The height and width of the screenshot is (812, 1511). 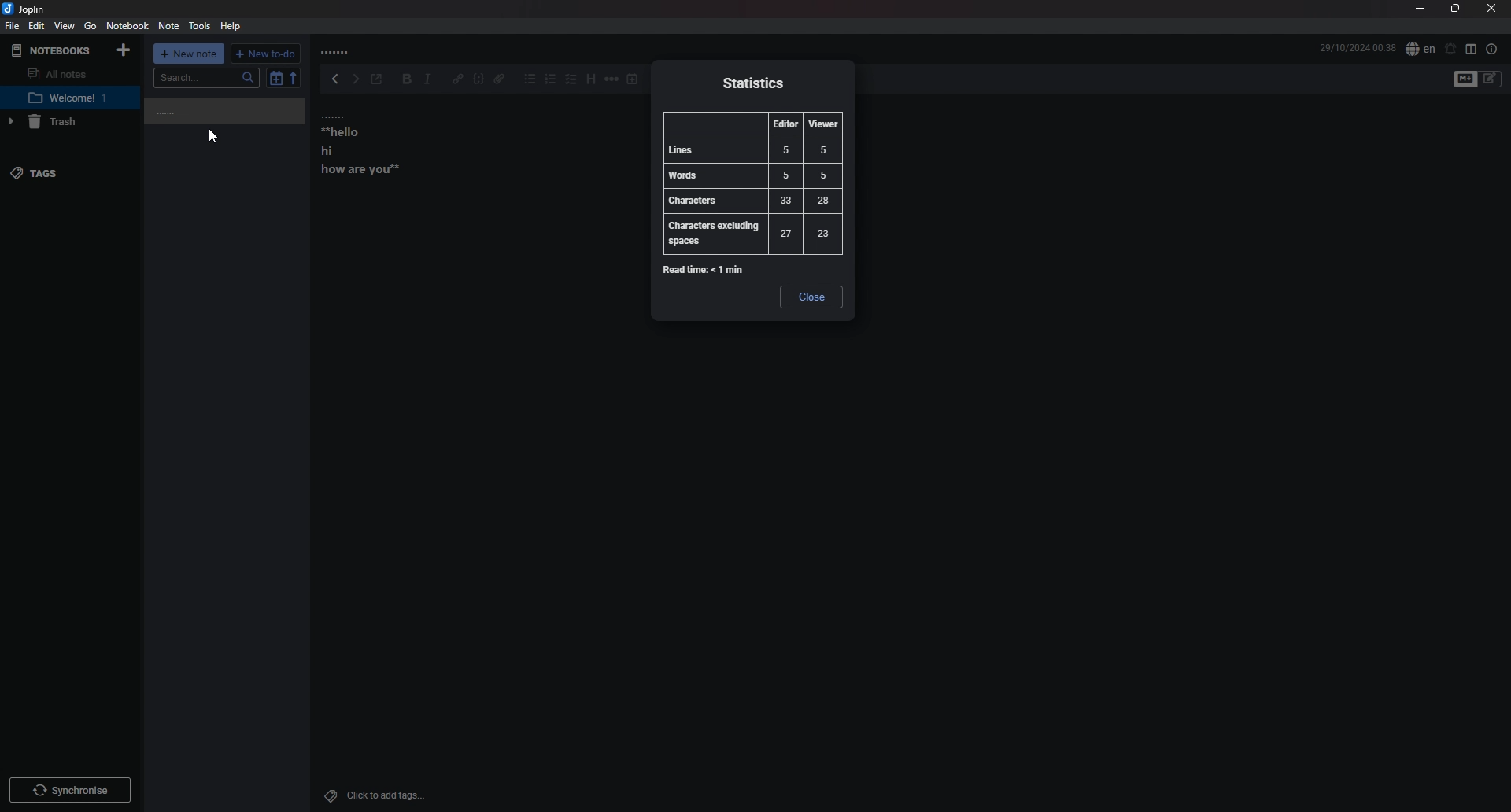 I want to click on Statistics, so click(x=752, y=84).